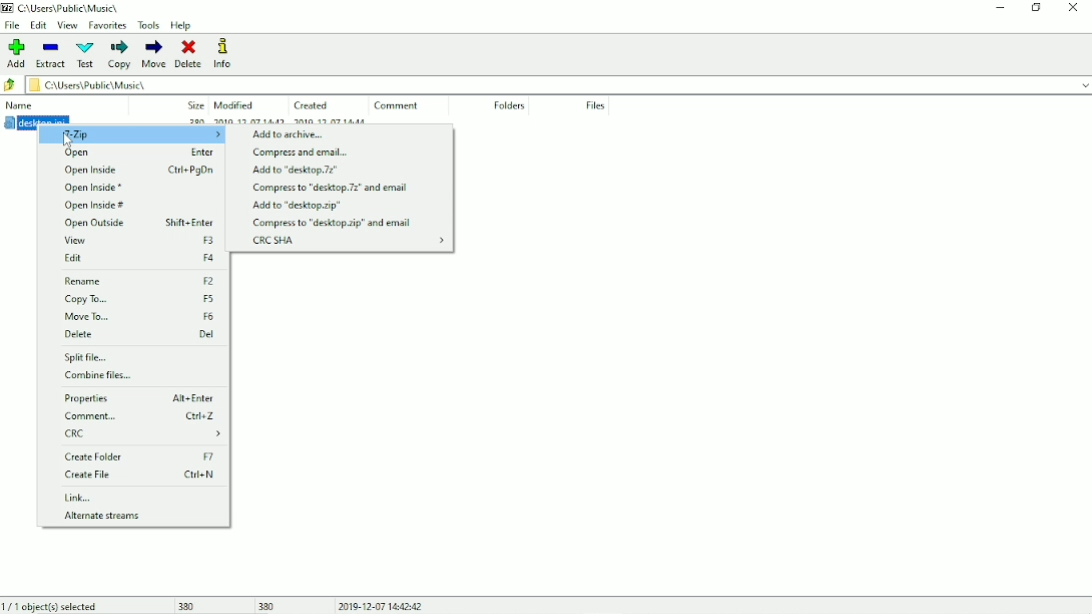 The width and height of the screenshot is (1092, 614). Describe the element at coordinates (52, 606) in the screenshot. I see `1/1 object(s) selected` at that location.